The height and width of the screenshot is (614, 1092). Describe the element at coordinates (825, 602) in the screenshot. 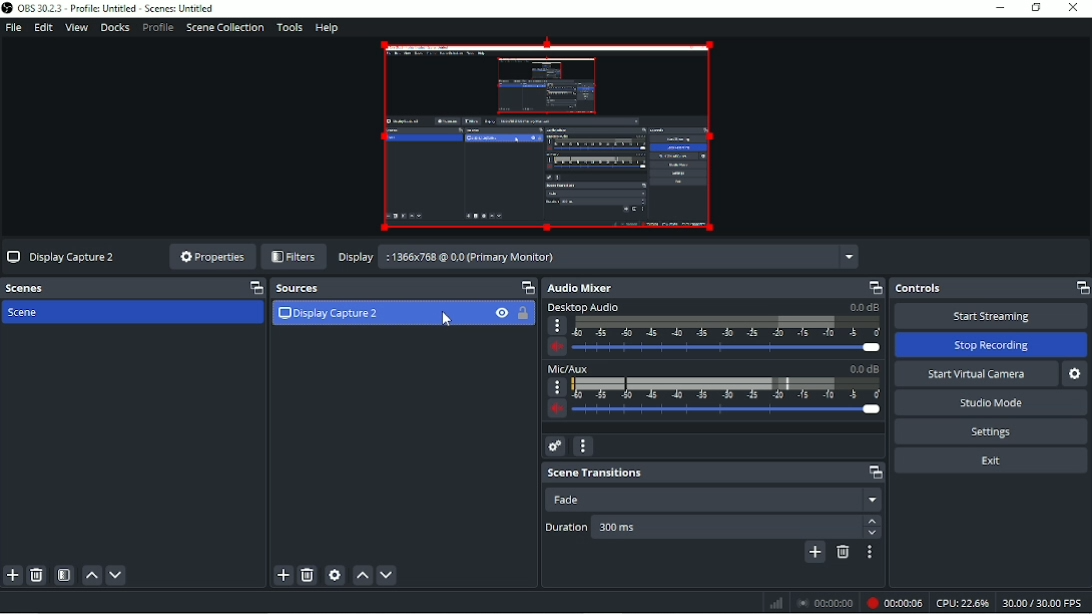

I see `Stop recording` at that location.